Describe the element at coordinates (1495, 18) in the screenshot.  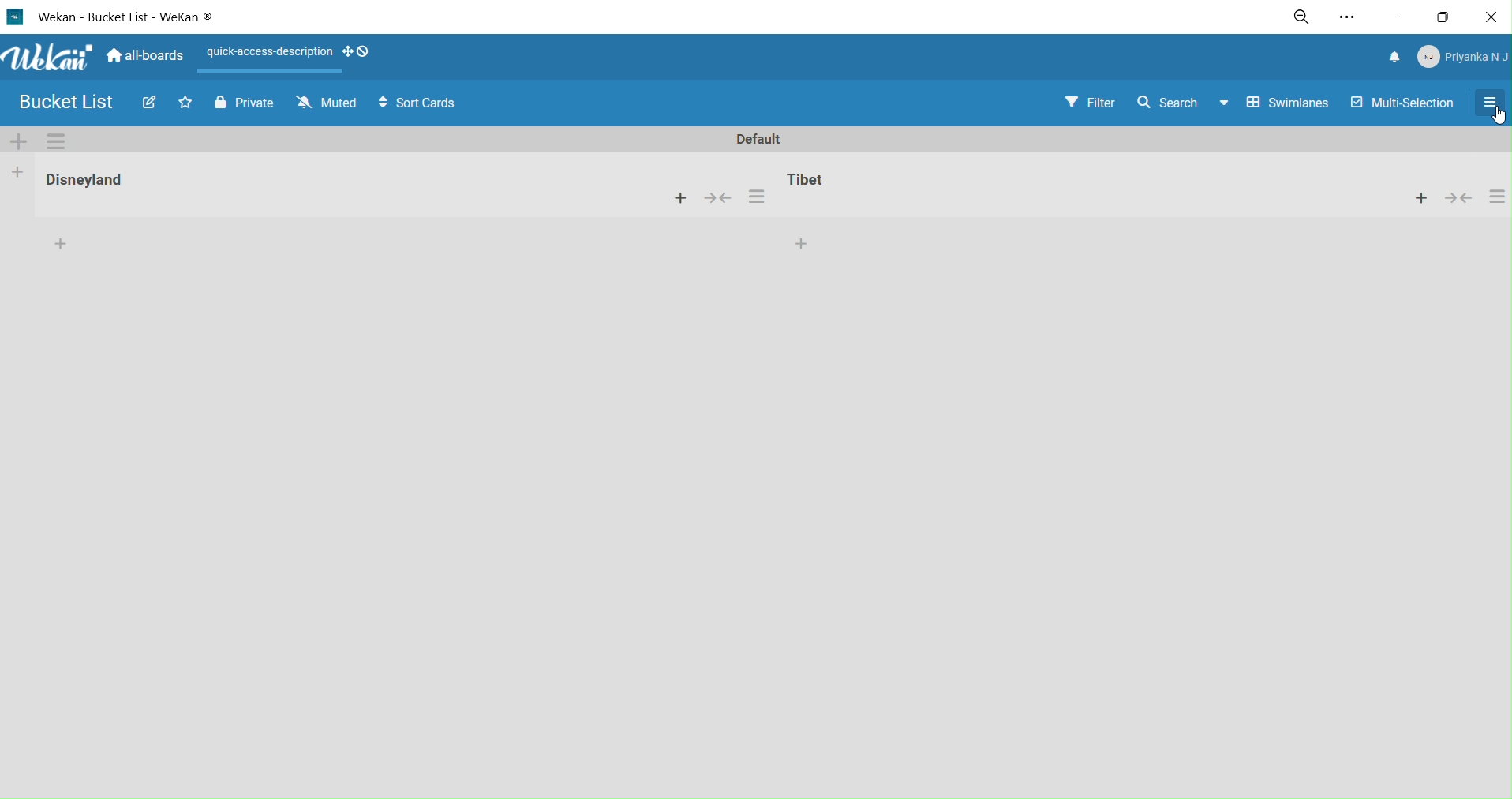
I see `close` at that location.